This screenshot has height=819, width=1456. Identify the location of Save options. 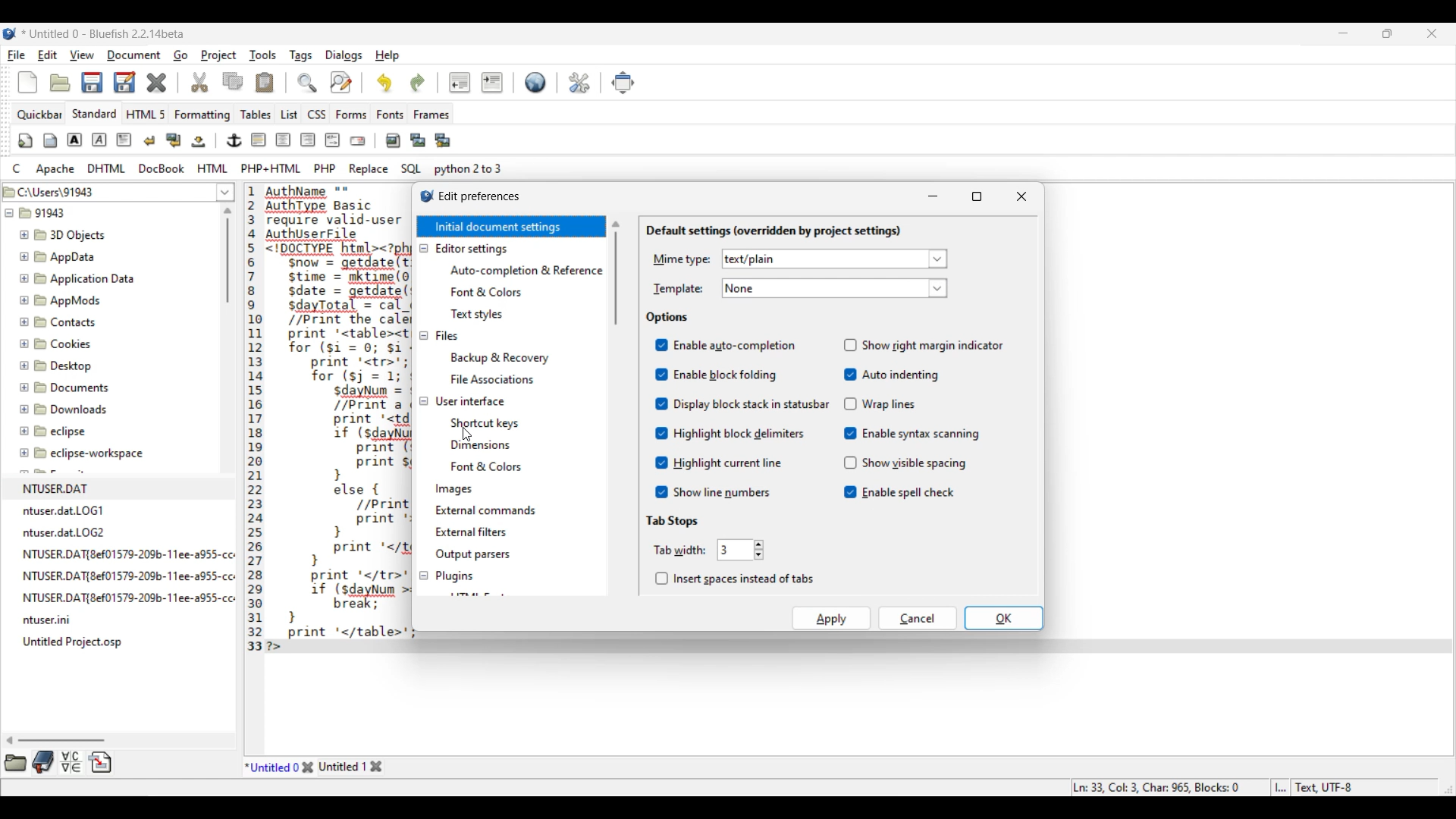
(108, 83).